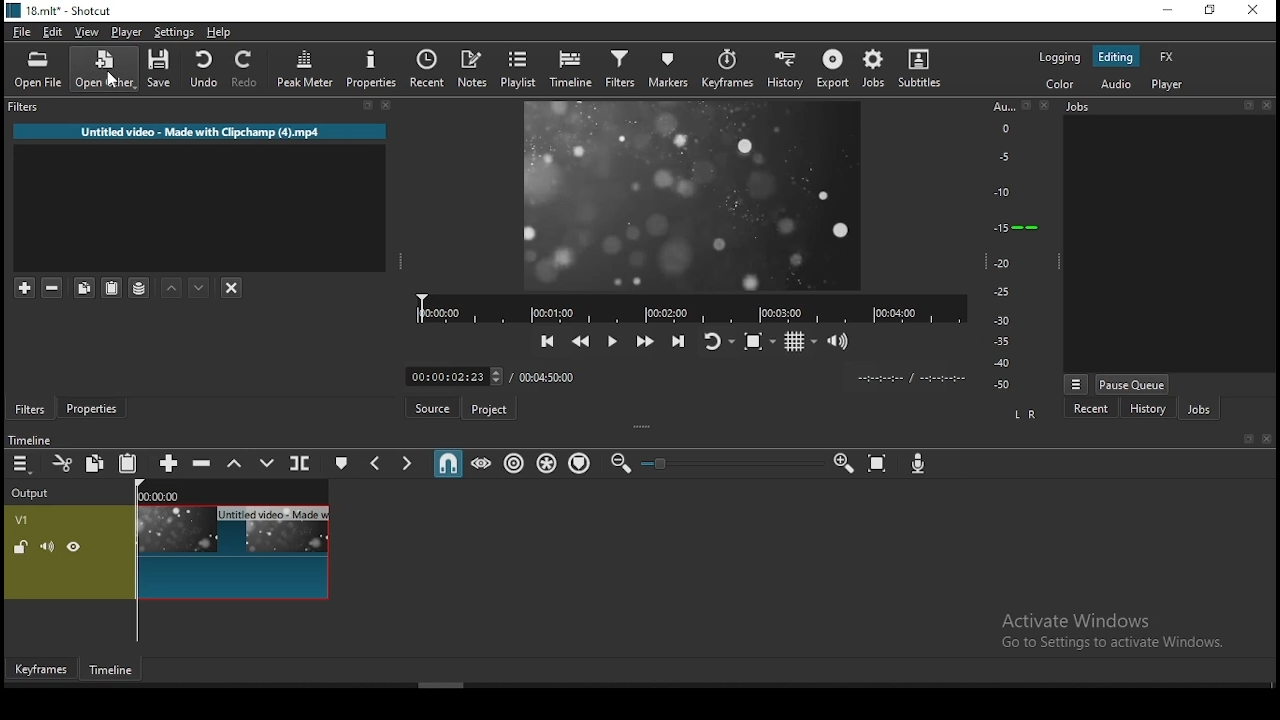 This screenshot has height=720, width=1280. What do you see at coordinates (1270, 439) in the screenshot?
I see `Close` at bounding box center [1270, 439].